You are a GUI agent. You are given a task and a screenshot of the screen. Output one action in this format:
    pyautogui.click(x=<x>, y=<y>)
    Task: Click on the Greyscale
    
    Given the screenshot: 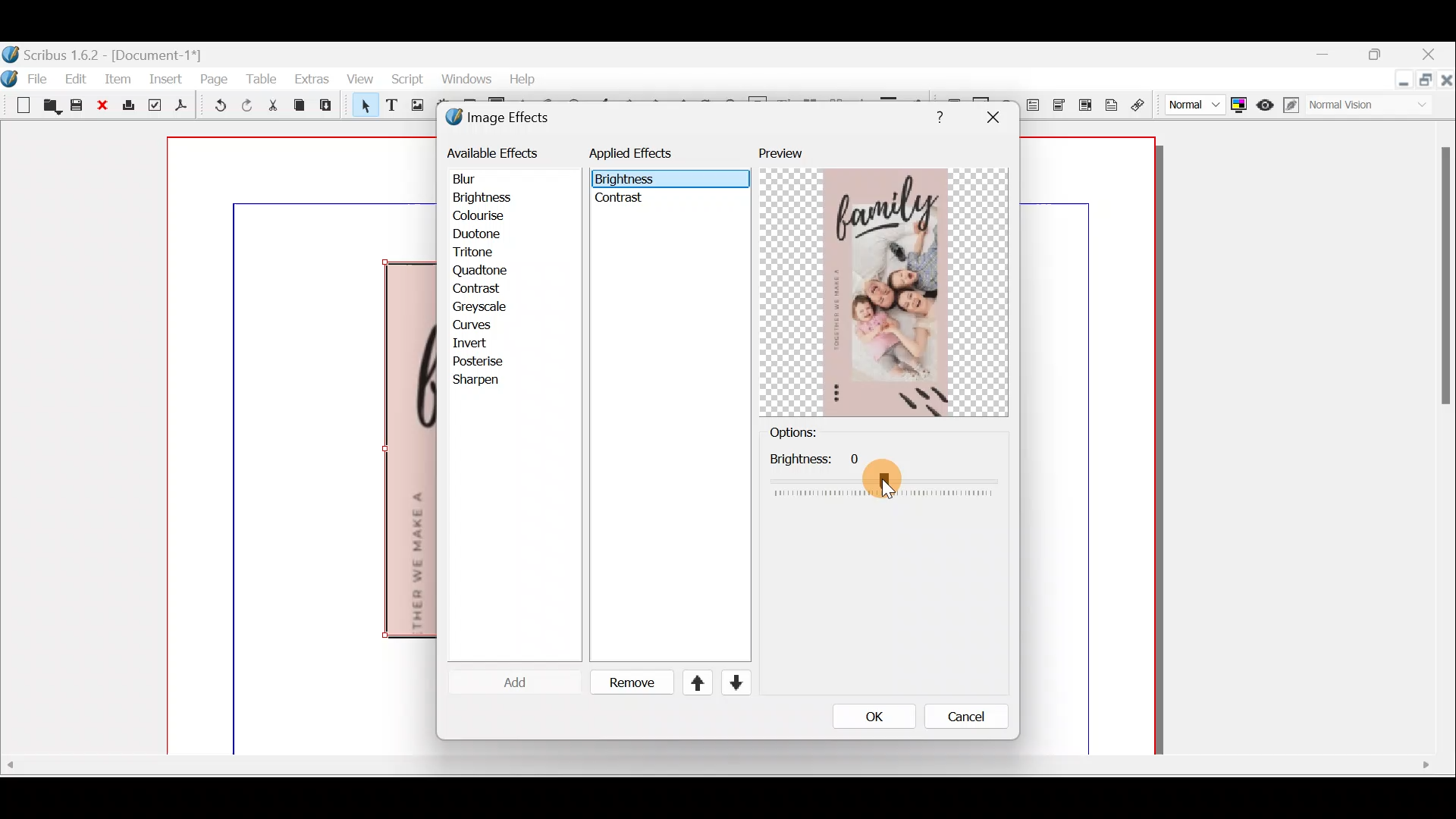 What is the action you would take?
    pyautogui.click(x=485, y=306)
    